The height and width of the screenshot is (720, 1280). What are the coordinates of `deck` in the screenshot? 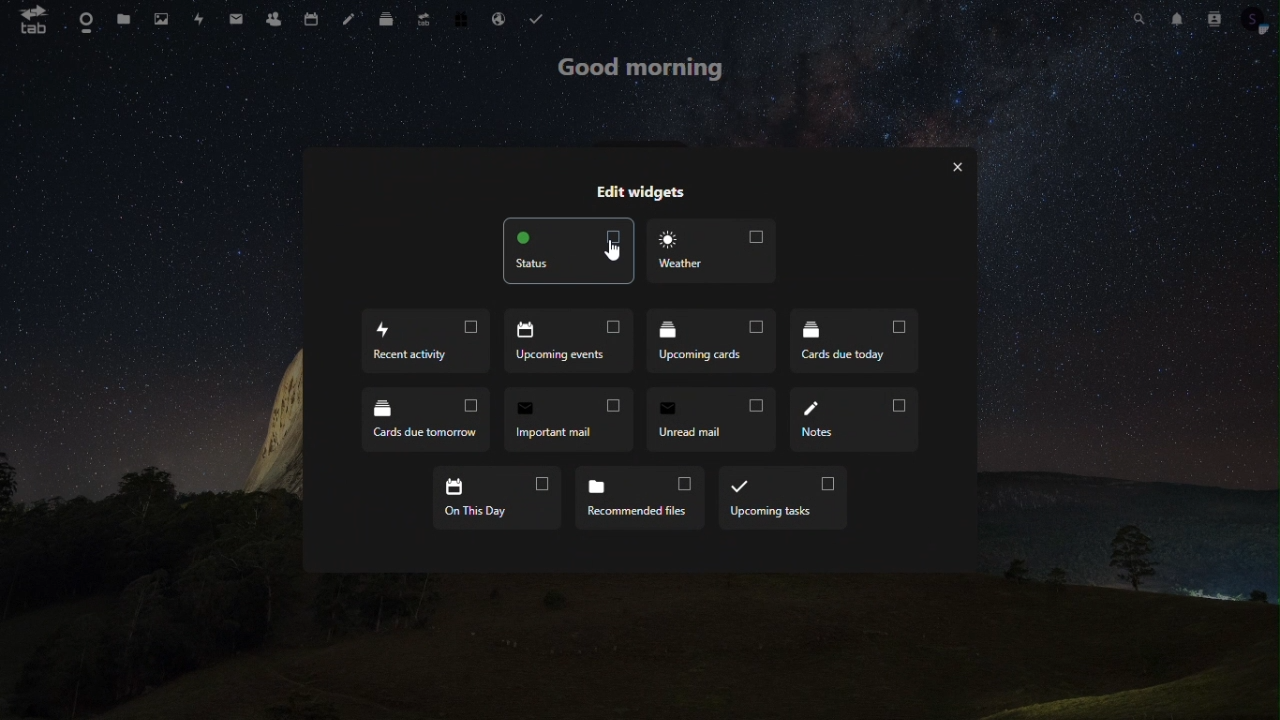 It's located at (385, 18).